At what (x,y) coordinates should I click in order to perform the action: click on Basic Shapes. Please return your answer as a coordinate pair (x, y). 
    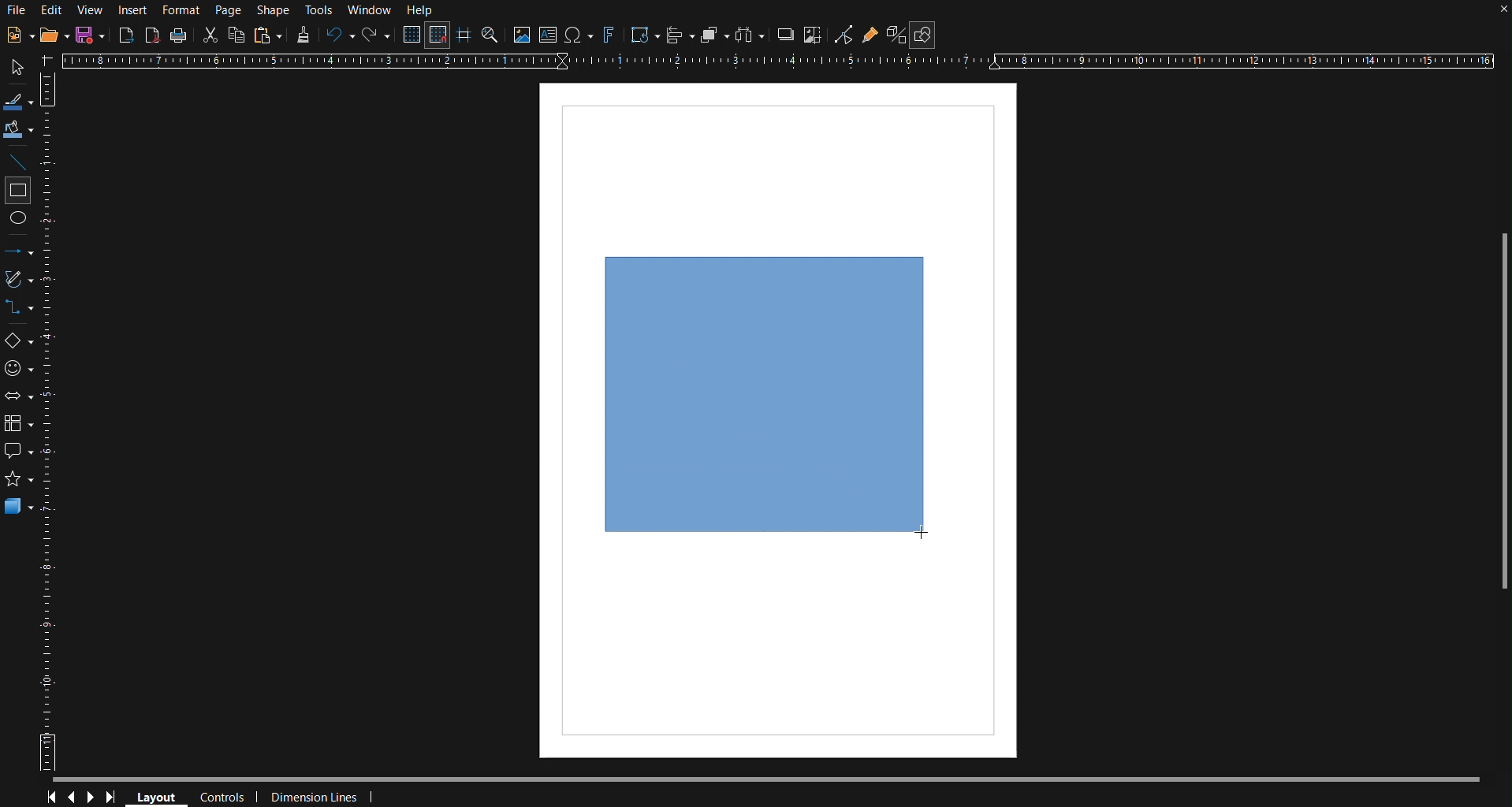
    Looking at the image, I should click on (20, 342).